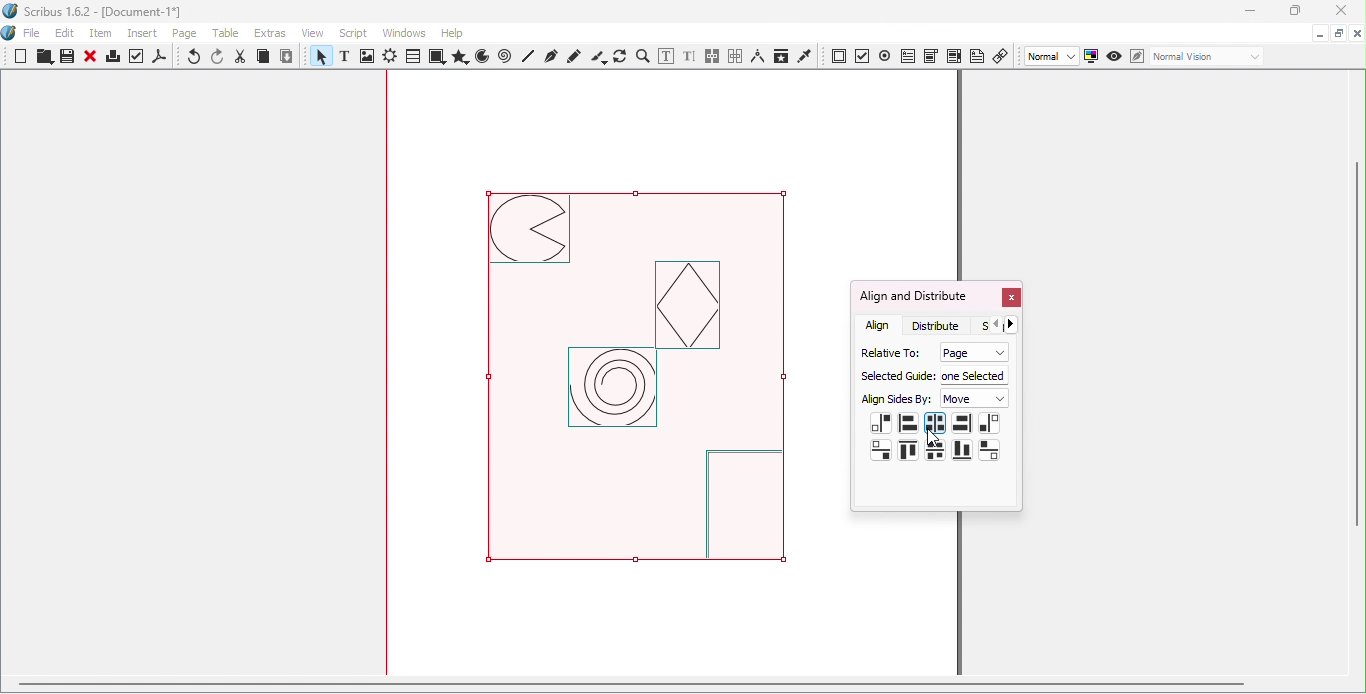  Describe the element at coordinates (10, 34) in the screenshot. I see `Logo` at that location.